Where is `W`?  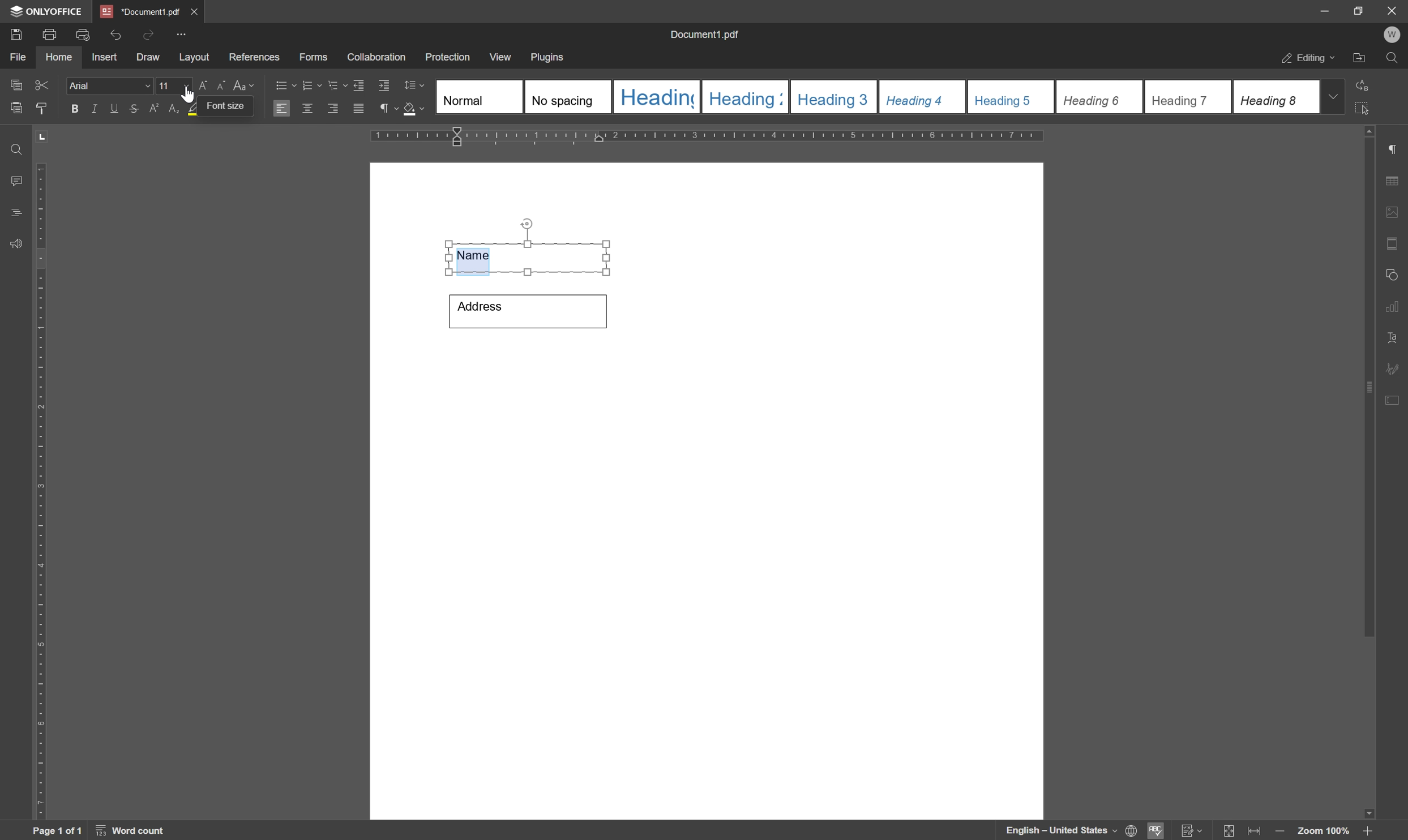 W is located at coordinates (1394, 35).